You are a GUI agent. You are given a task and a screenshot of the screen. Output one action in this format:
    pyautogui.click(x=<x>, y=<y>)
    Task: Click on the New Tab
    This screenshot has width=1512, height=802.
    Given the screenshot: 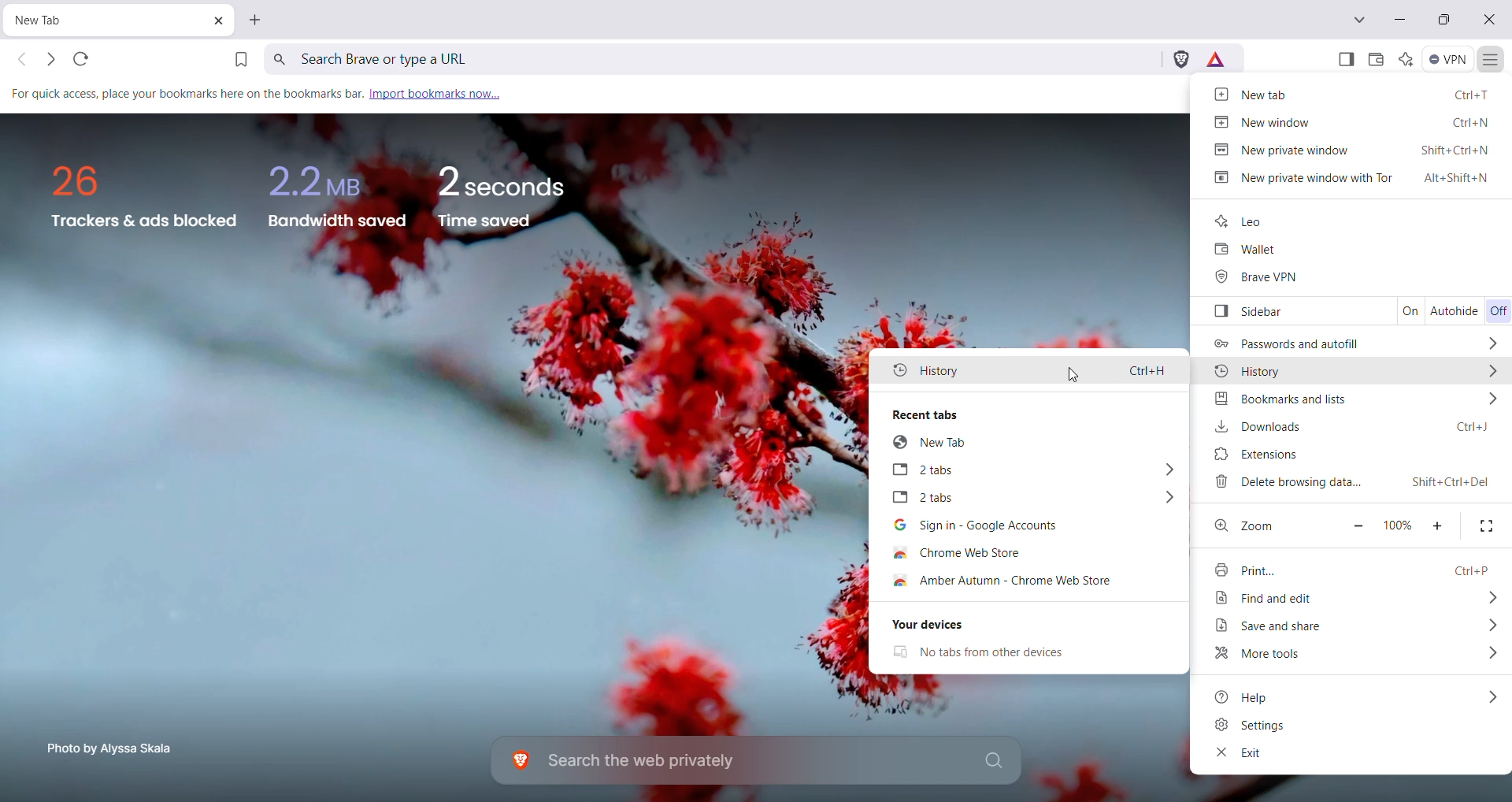 What is the action you would take?
    pyautogui.click(x=258, y=20)
    